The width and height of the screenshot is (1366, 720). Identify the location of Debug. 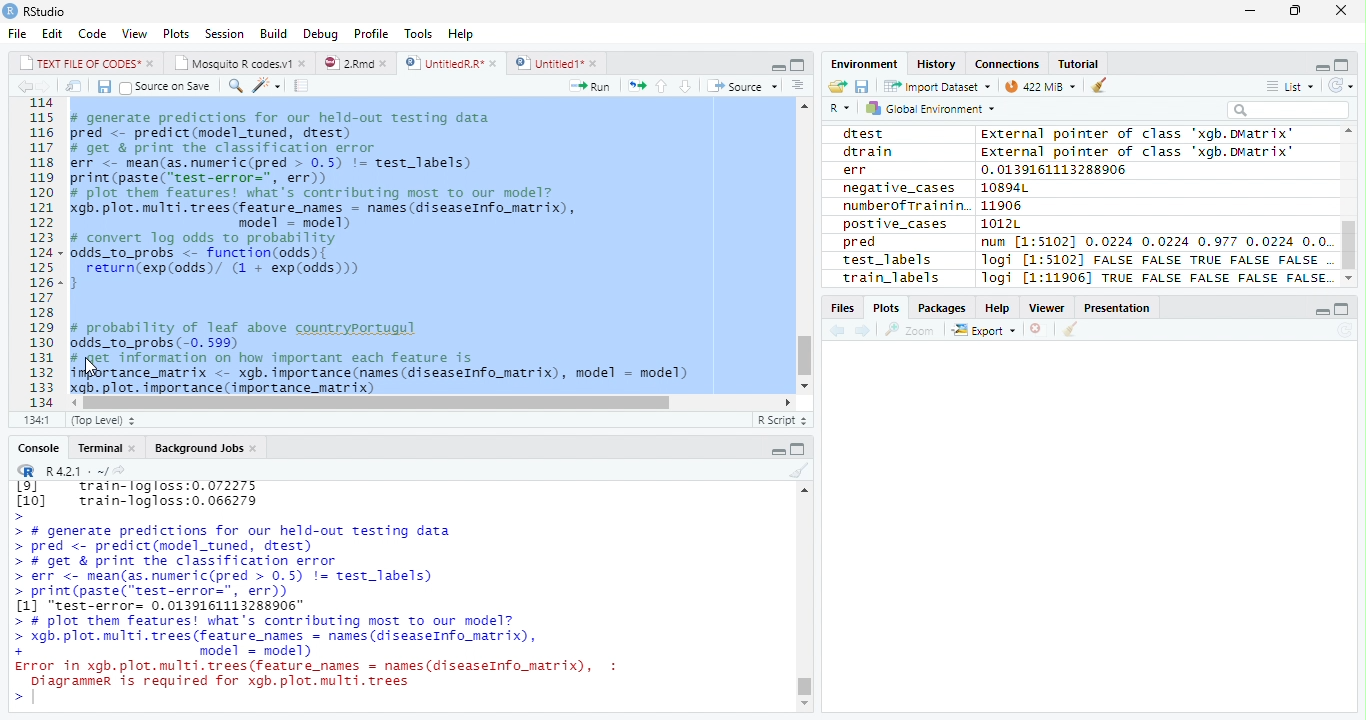
(319, 35).